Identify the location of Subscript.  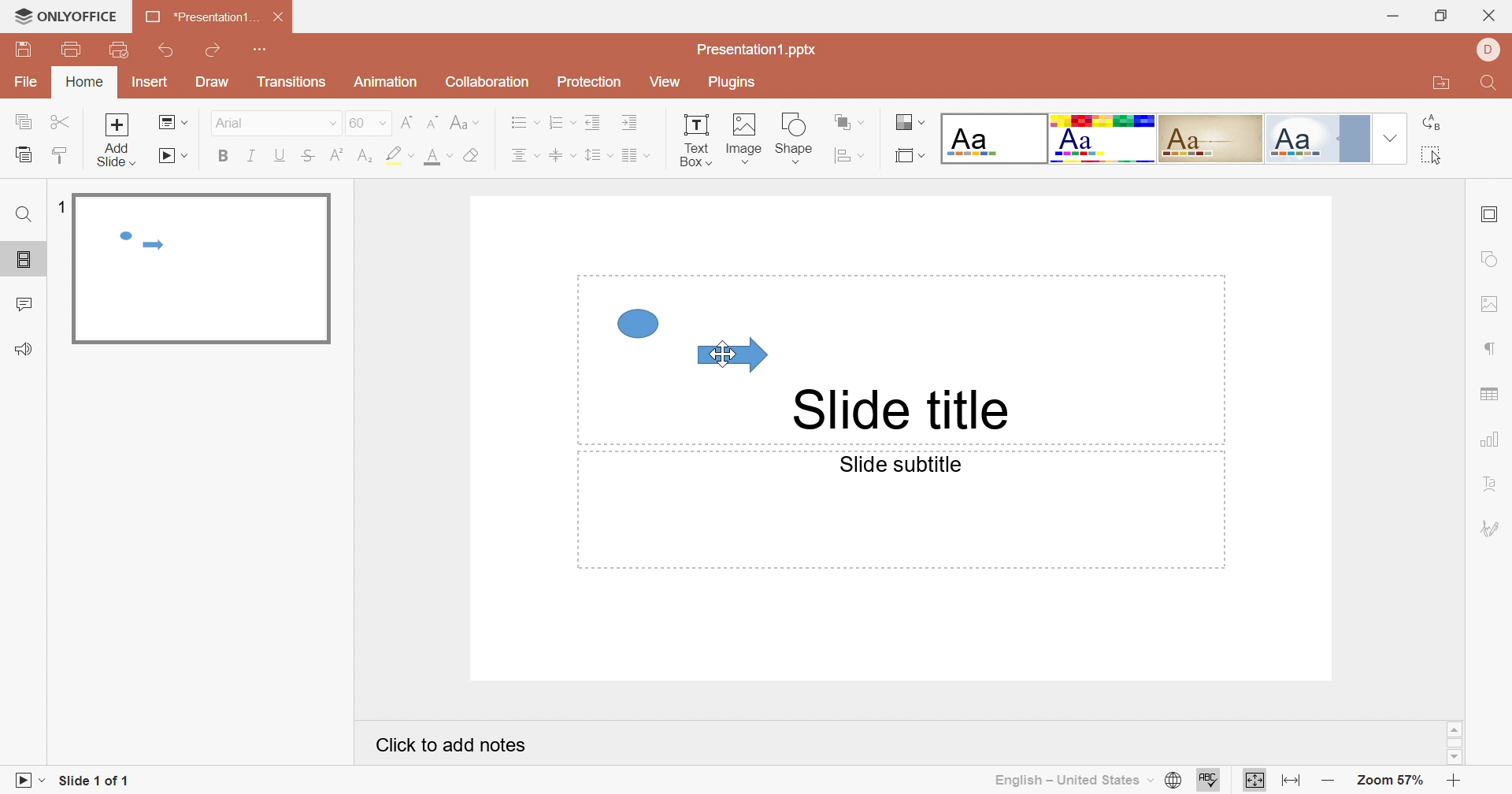
(368, 155).